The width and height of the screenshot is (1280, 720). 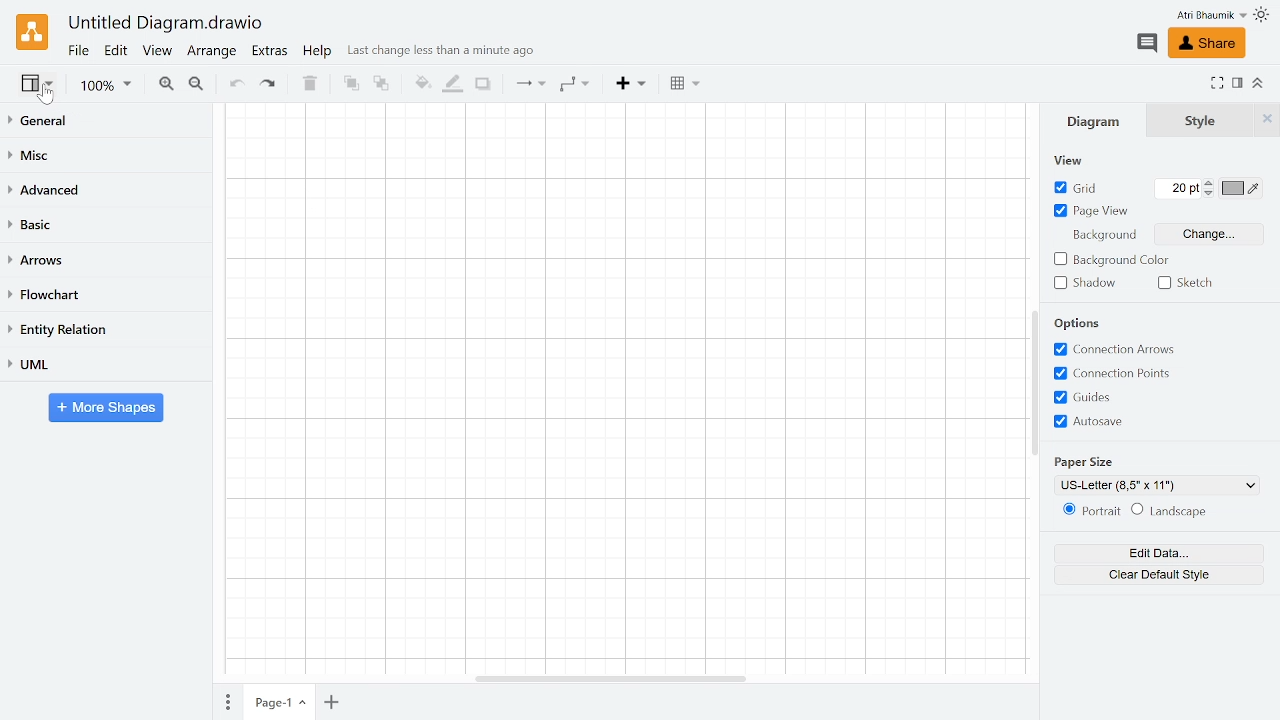 What do you see at coordinates (159, 51) in the screenshot?
I see `View` at bounding box center [159, 51].